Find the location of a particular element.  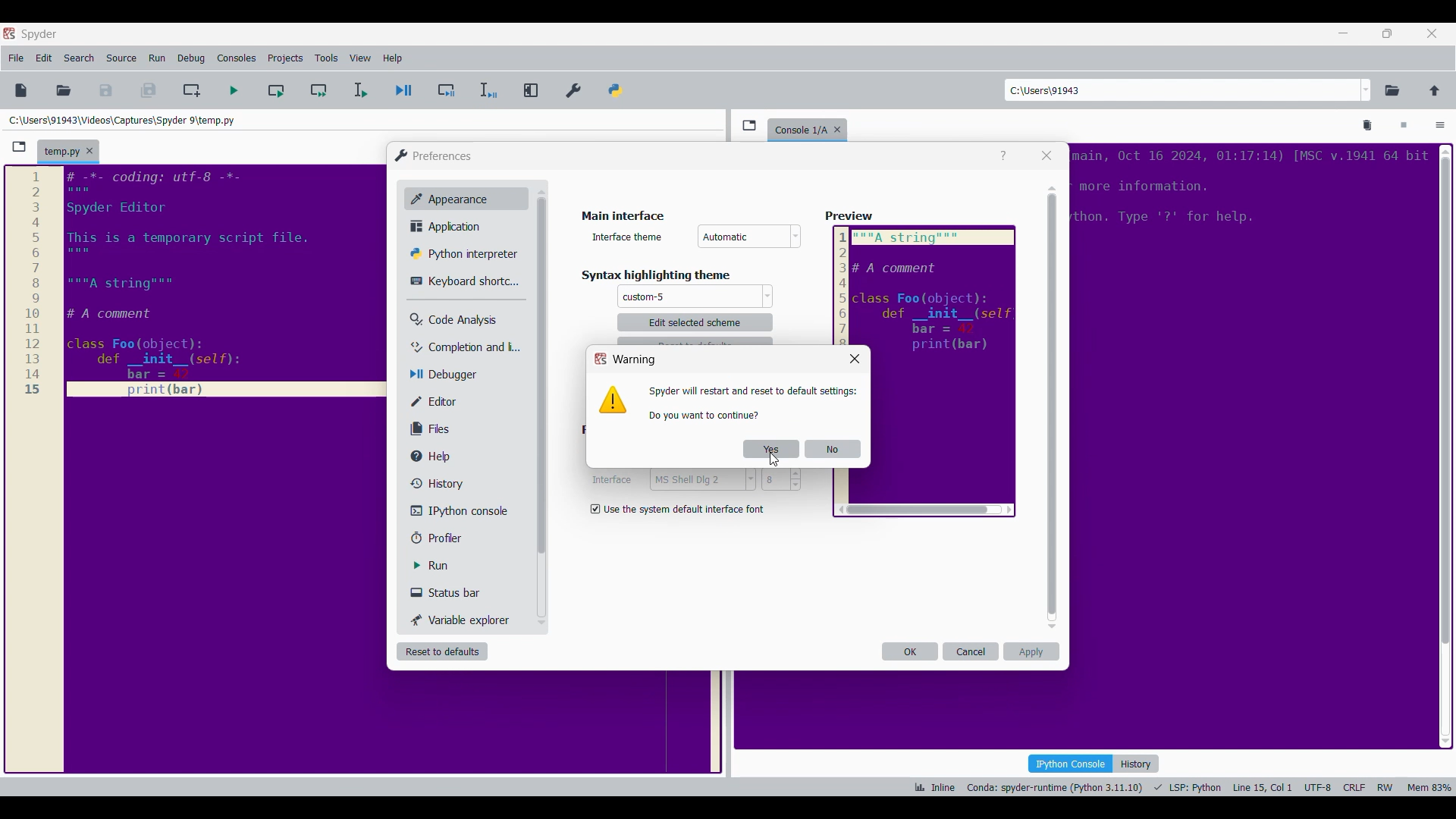

View menu is located at coordinates (361, 58).